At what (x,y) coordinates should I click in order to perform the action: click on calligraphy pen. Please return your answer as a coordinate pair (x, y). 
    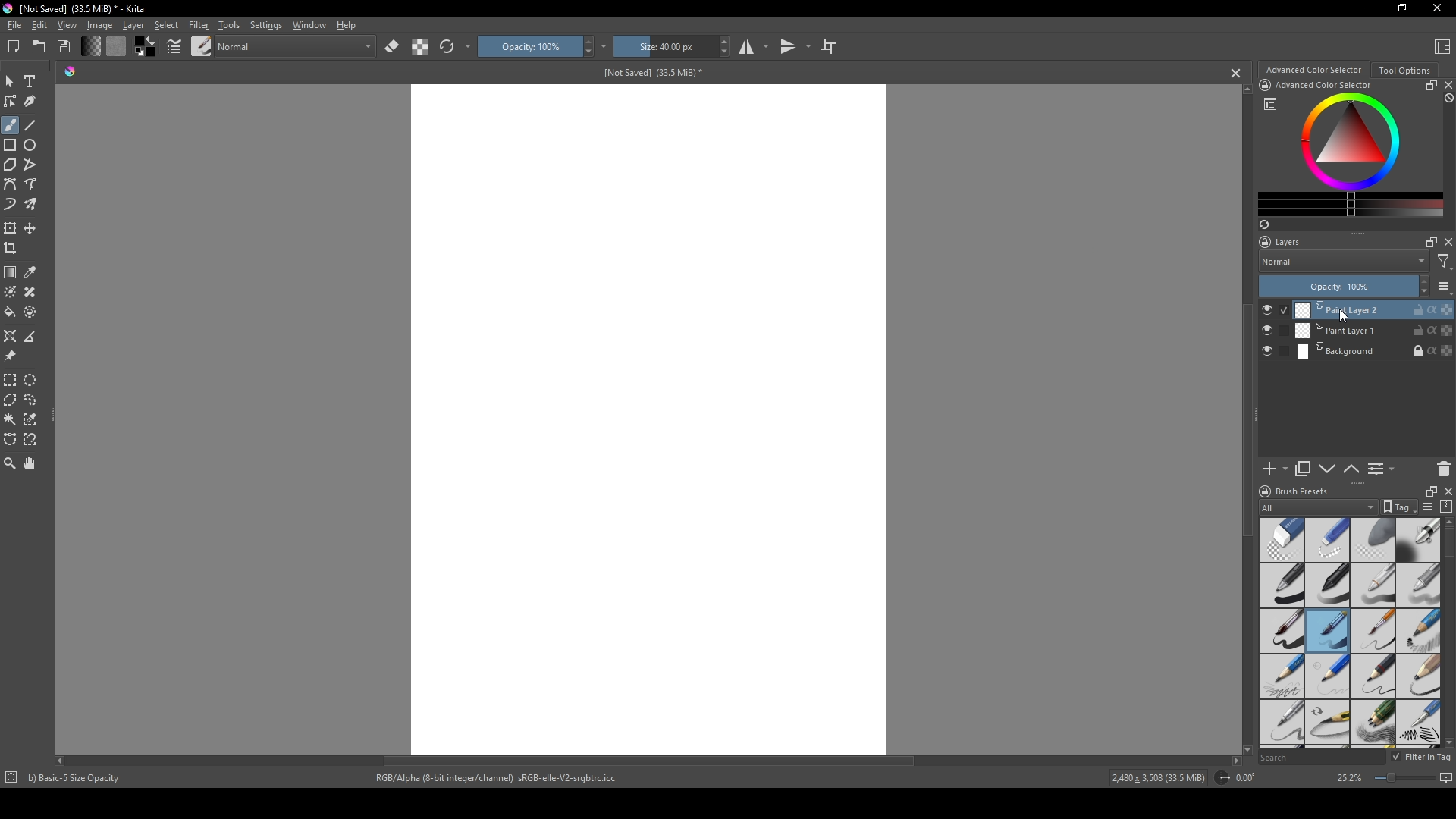
    Looking at the image, I should click on (1418, 724).